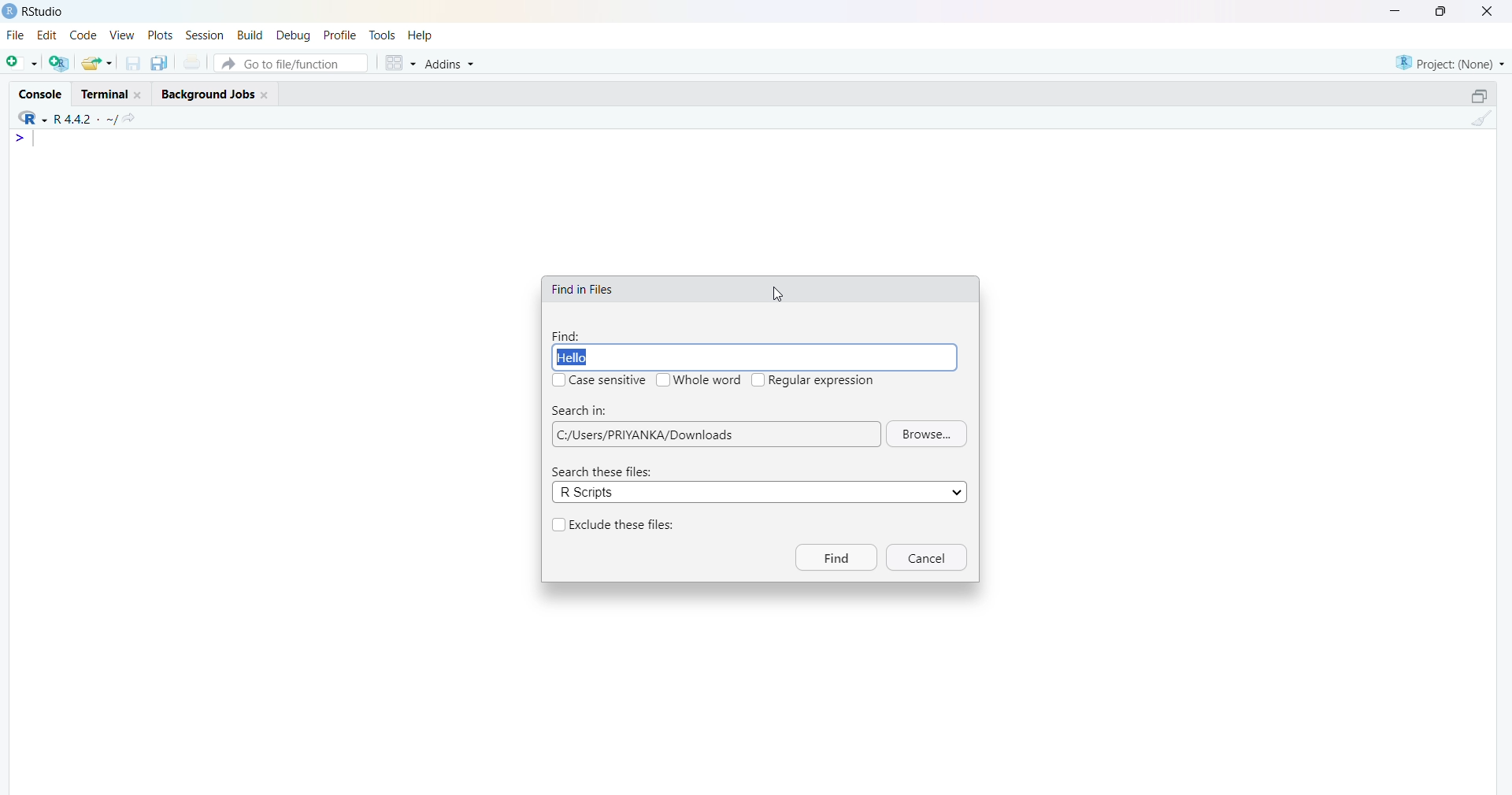  Describe the element at coordinates (383, 35) in the screenshot. I see `tools` at that location.